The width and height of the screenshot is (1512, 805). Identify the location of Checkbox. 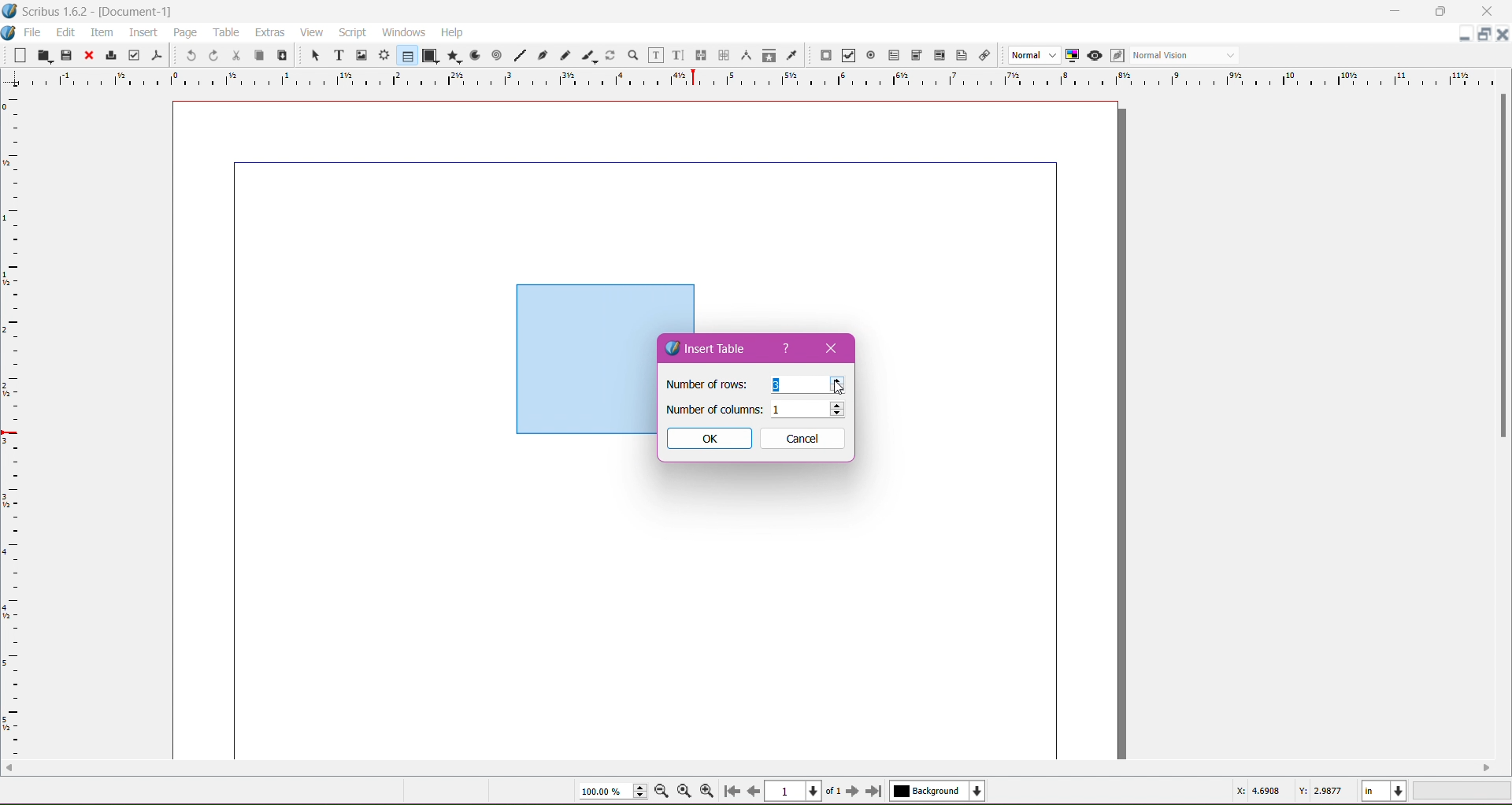
(847, 57).